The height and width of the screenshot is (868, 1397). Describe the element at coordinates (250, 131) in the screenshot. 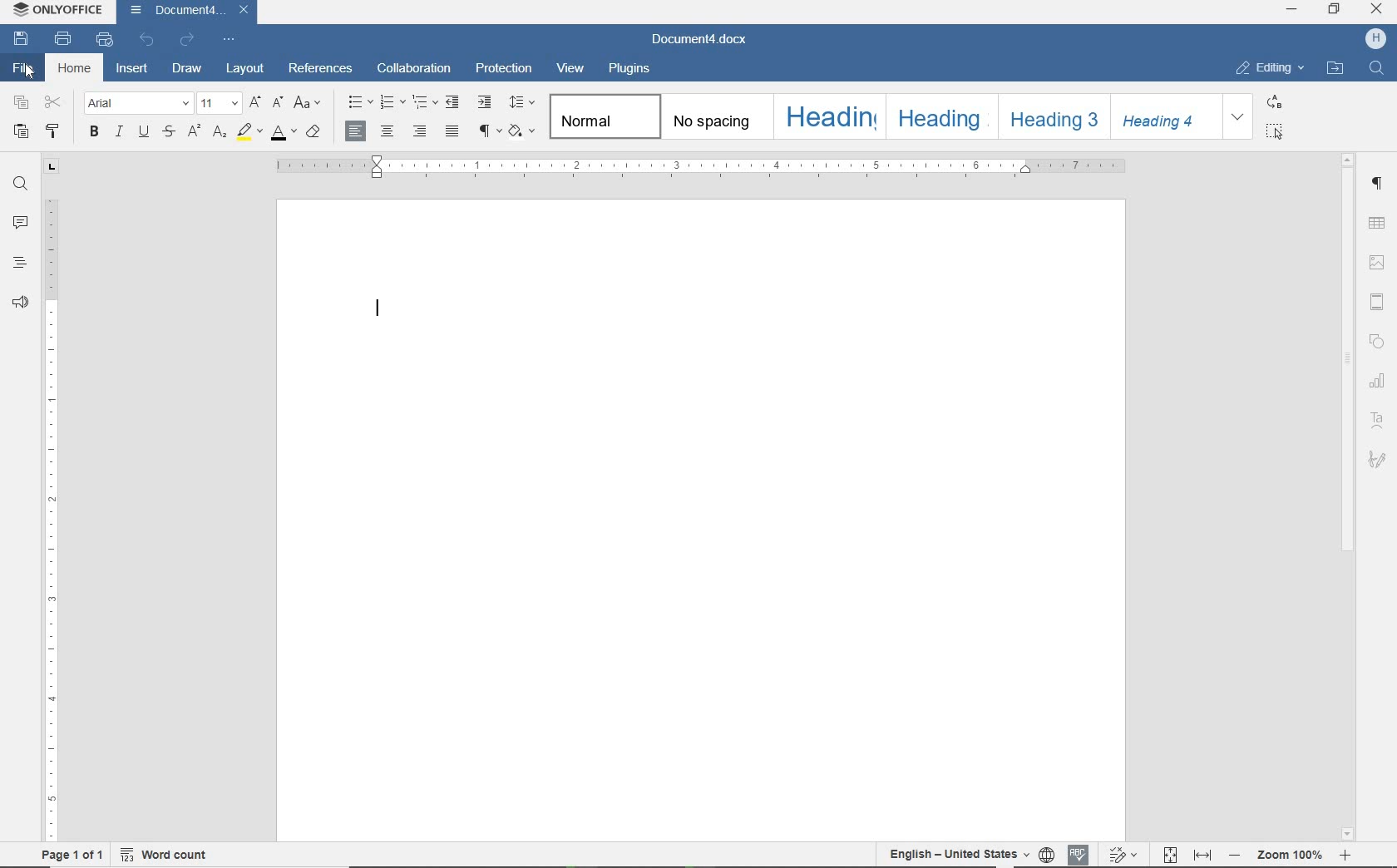

I see `highlight color` at that location.